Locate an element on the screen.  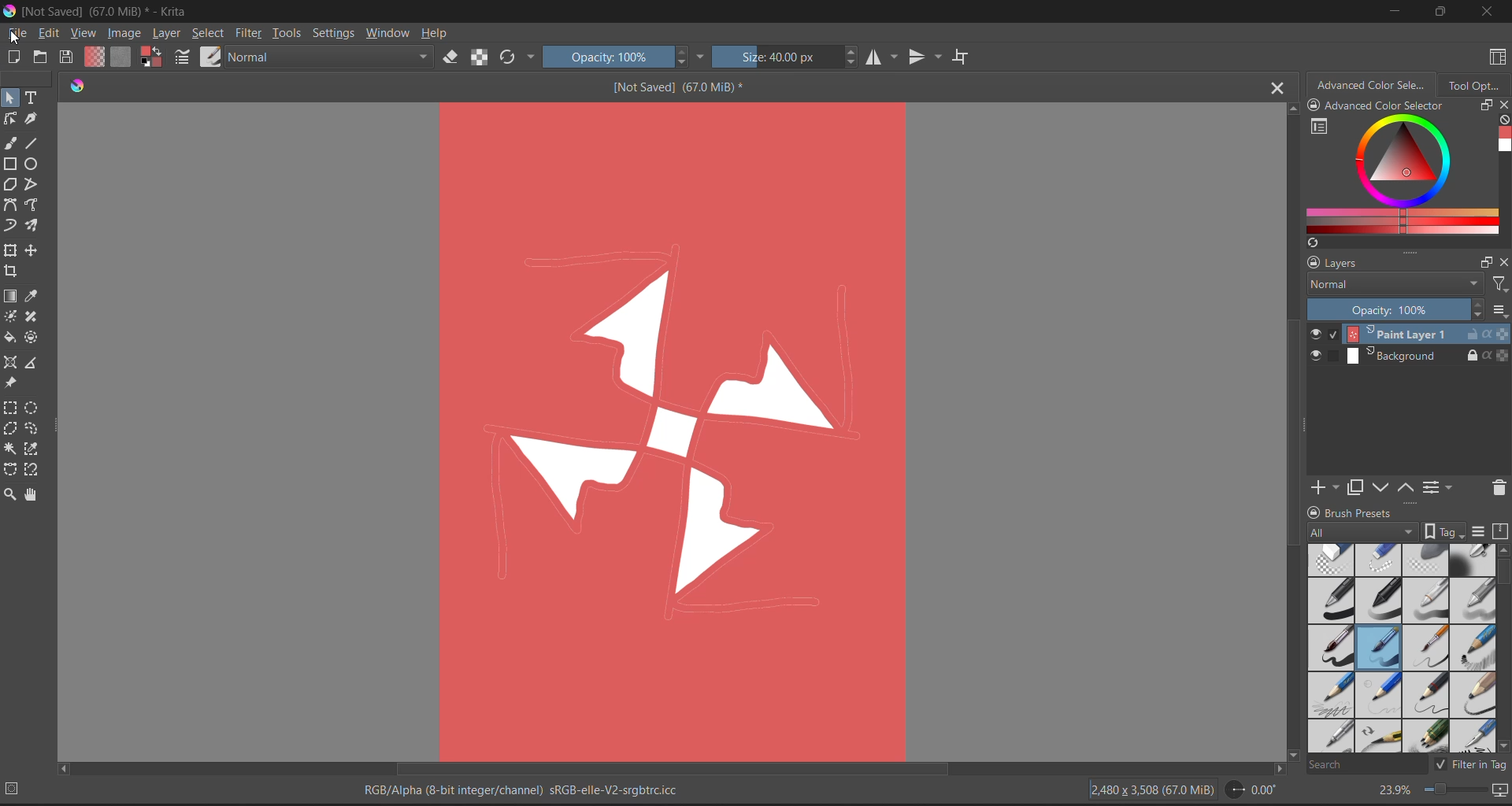
tools is located at coordinates (31, 120).